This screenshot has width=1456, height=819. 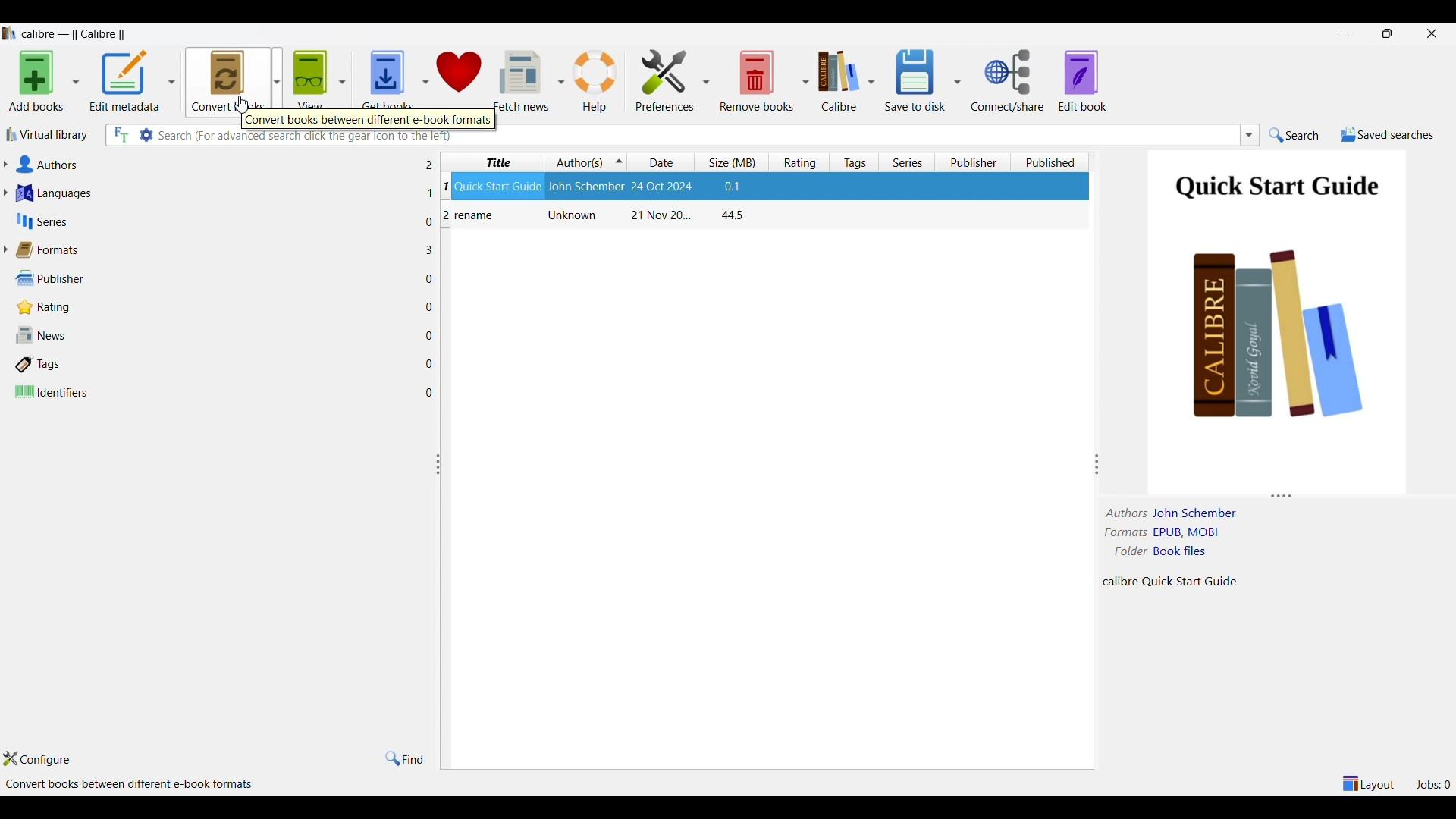 I want to click on Minimize, so click(x=1343, y=33).